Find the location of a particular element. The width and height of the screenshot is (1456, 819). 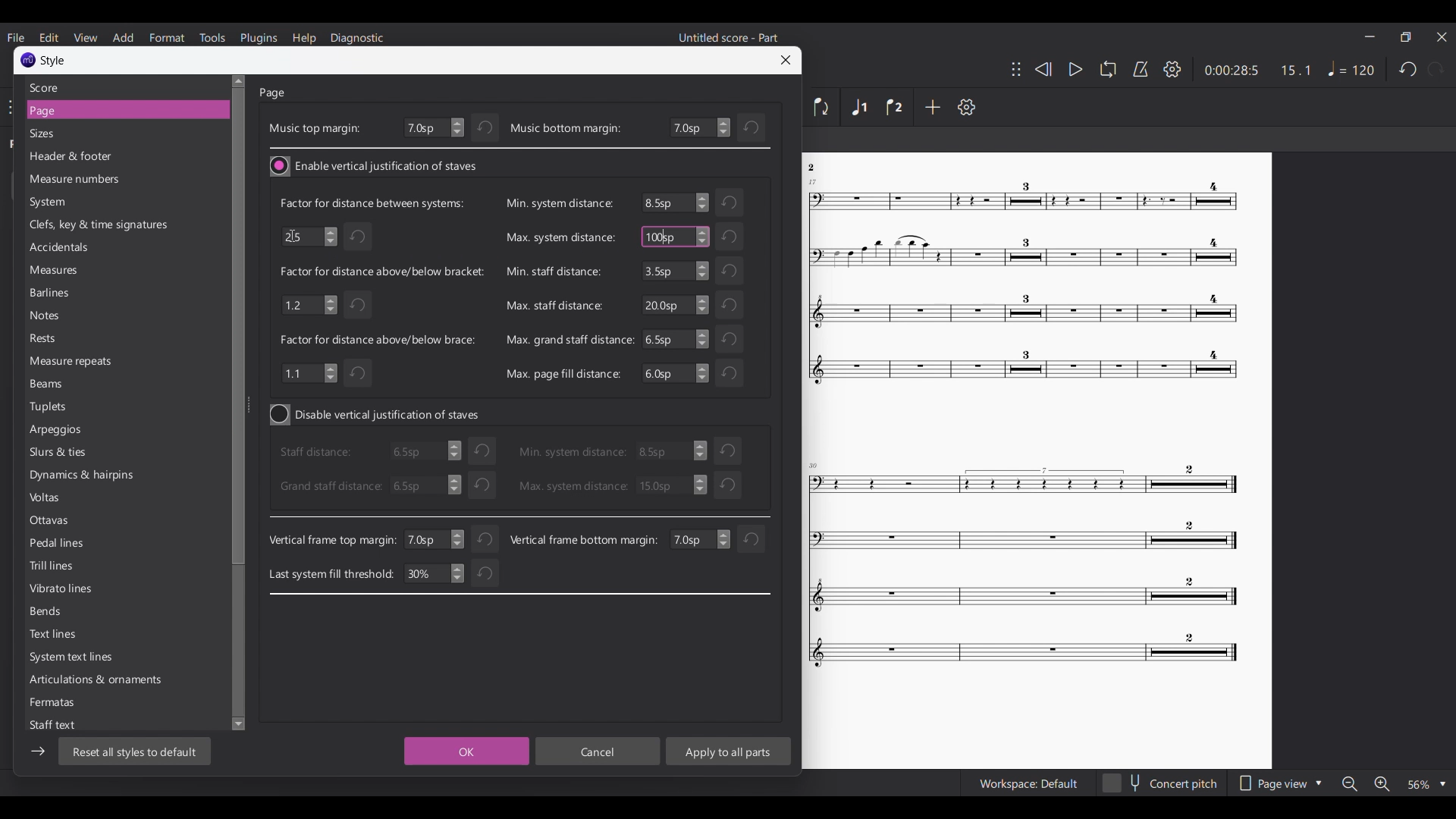

Indicates factor for distance above/below bracket is located at coordinates (382, 271).